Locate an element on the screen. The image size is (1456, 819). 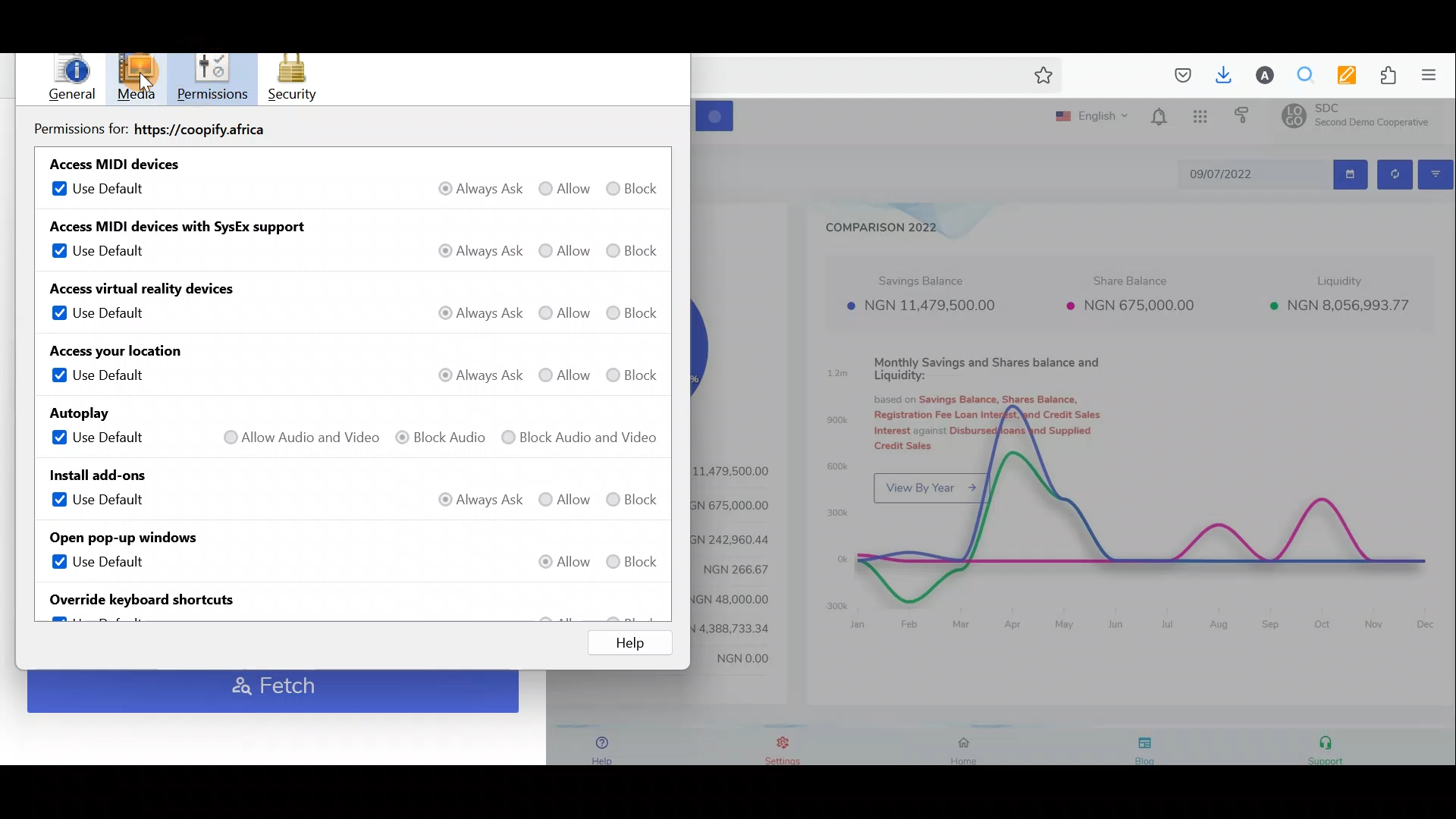
Open pop-up windows is located at coordinates (125, 537).